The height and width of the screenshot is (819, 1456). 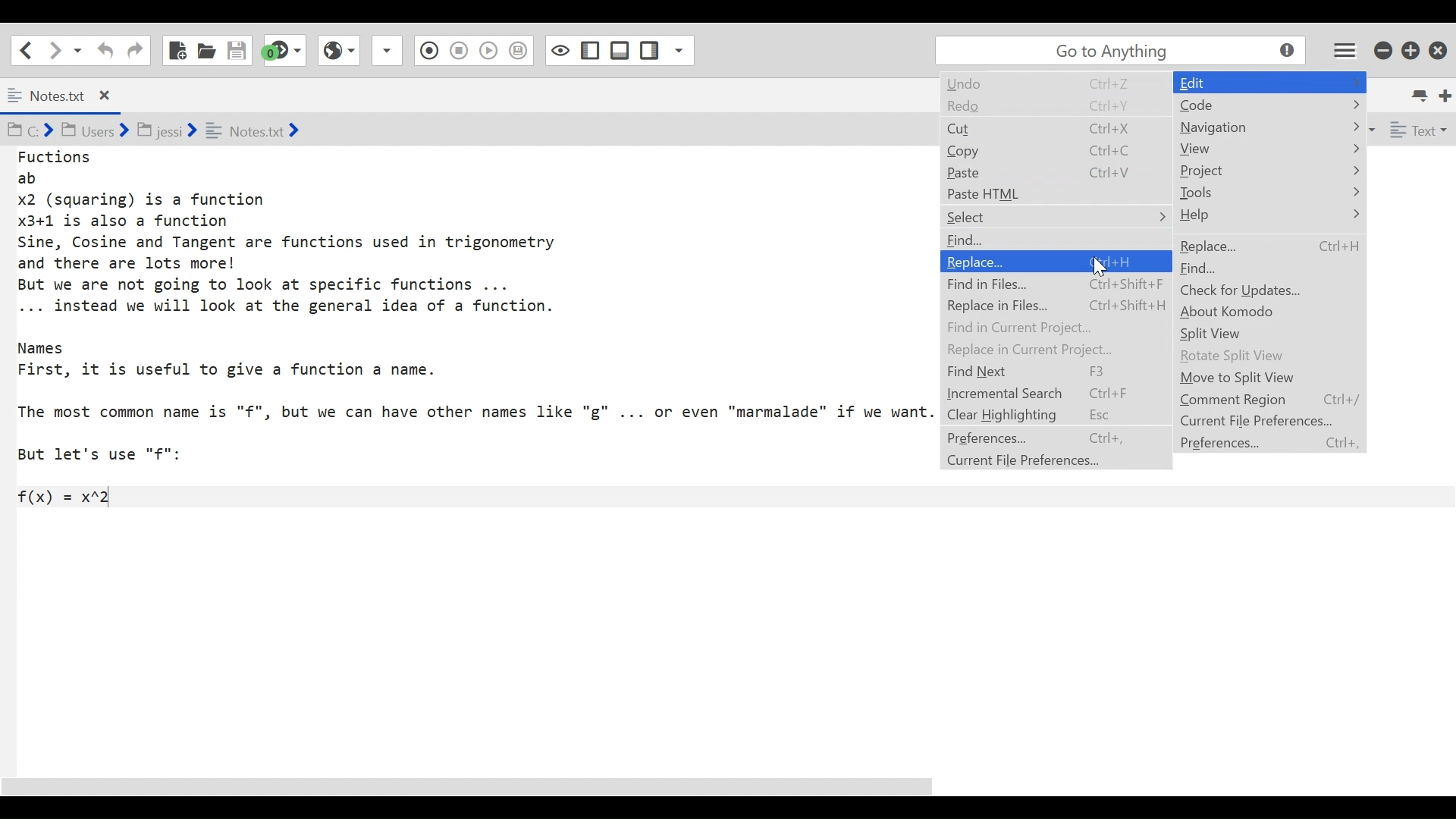 What do you see at coordinates (1254, 378) in the screenshot?
I see `Move to Split View` at bounding box center [1254, 378].